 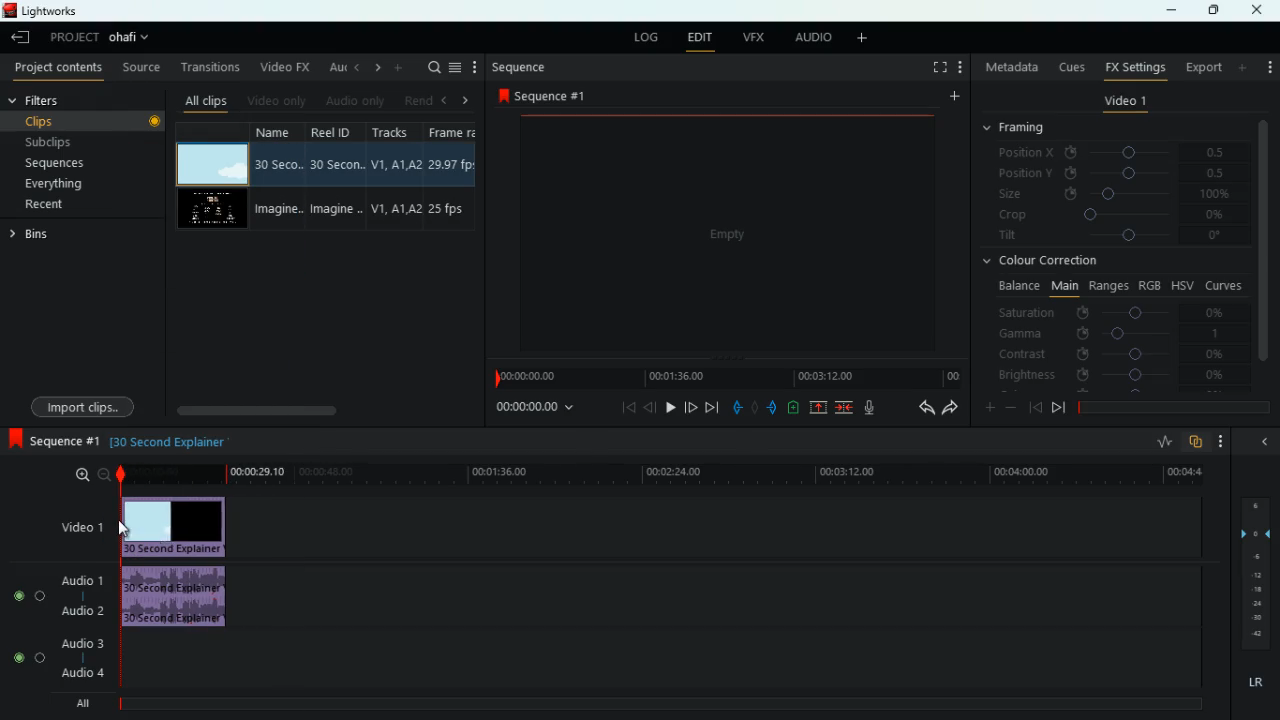 What do you see at coordinates (651, 704) in the screenshot?
I see `timeline` at bounding box center [651, 704].